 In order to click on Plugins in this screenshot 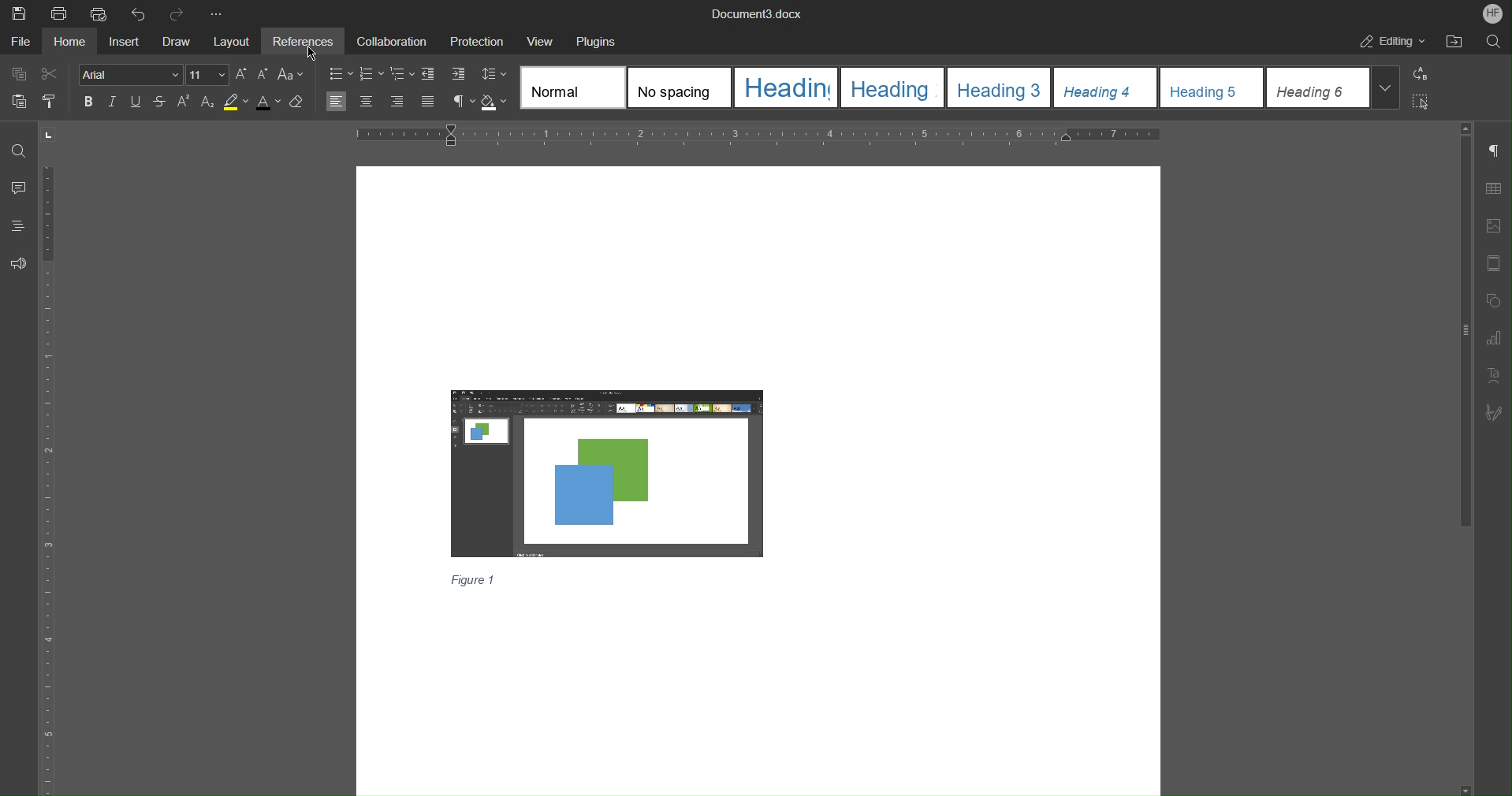, I will do `click(594, 41)`.